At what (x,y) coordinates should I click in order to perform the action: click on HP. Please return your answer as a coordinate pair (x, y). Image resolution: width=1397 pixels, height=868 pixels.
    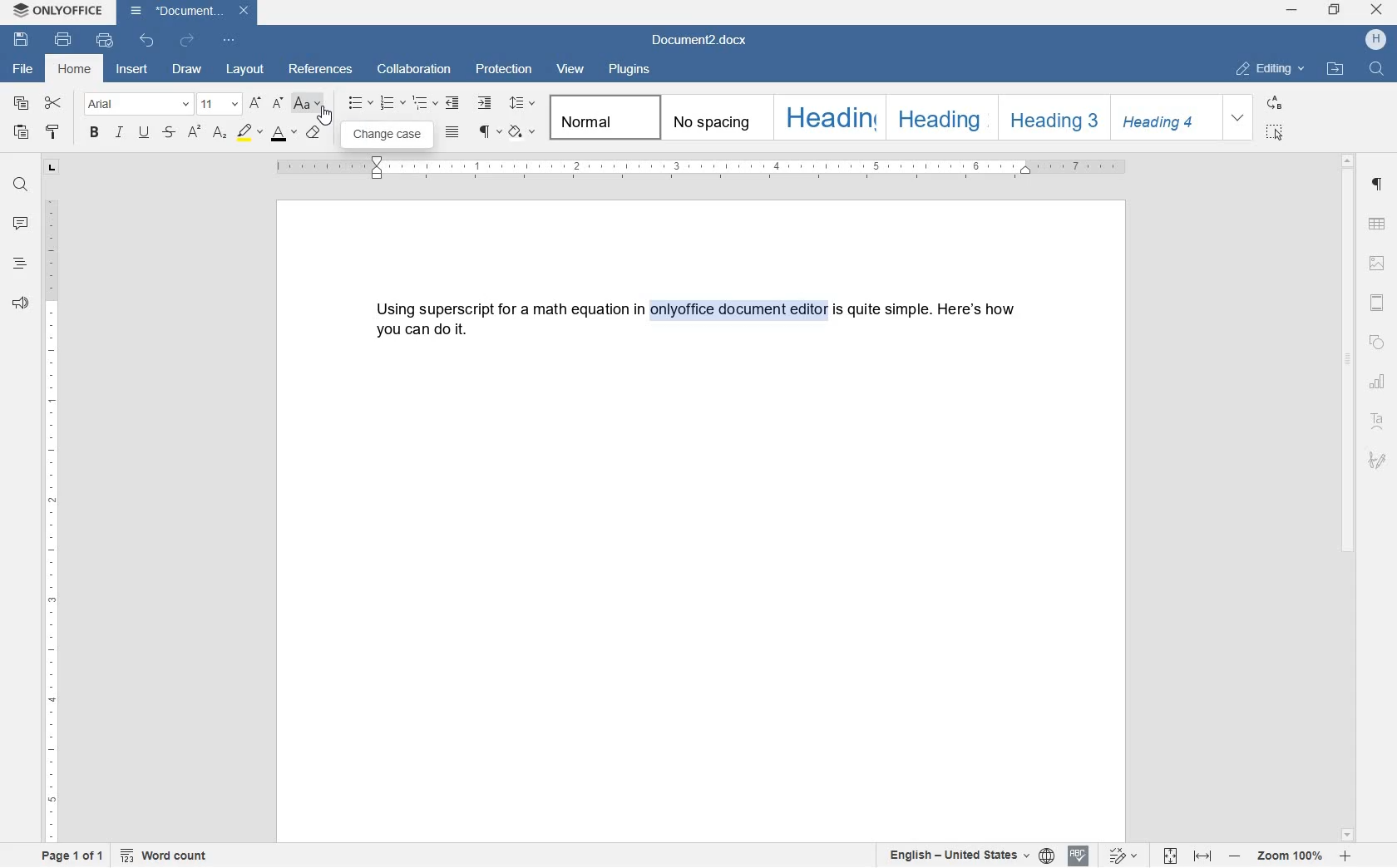
    Looking at the image, I should click on (1375, 41).